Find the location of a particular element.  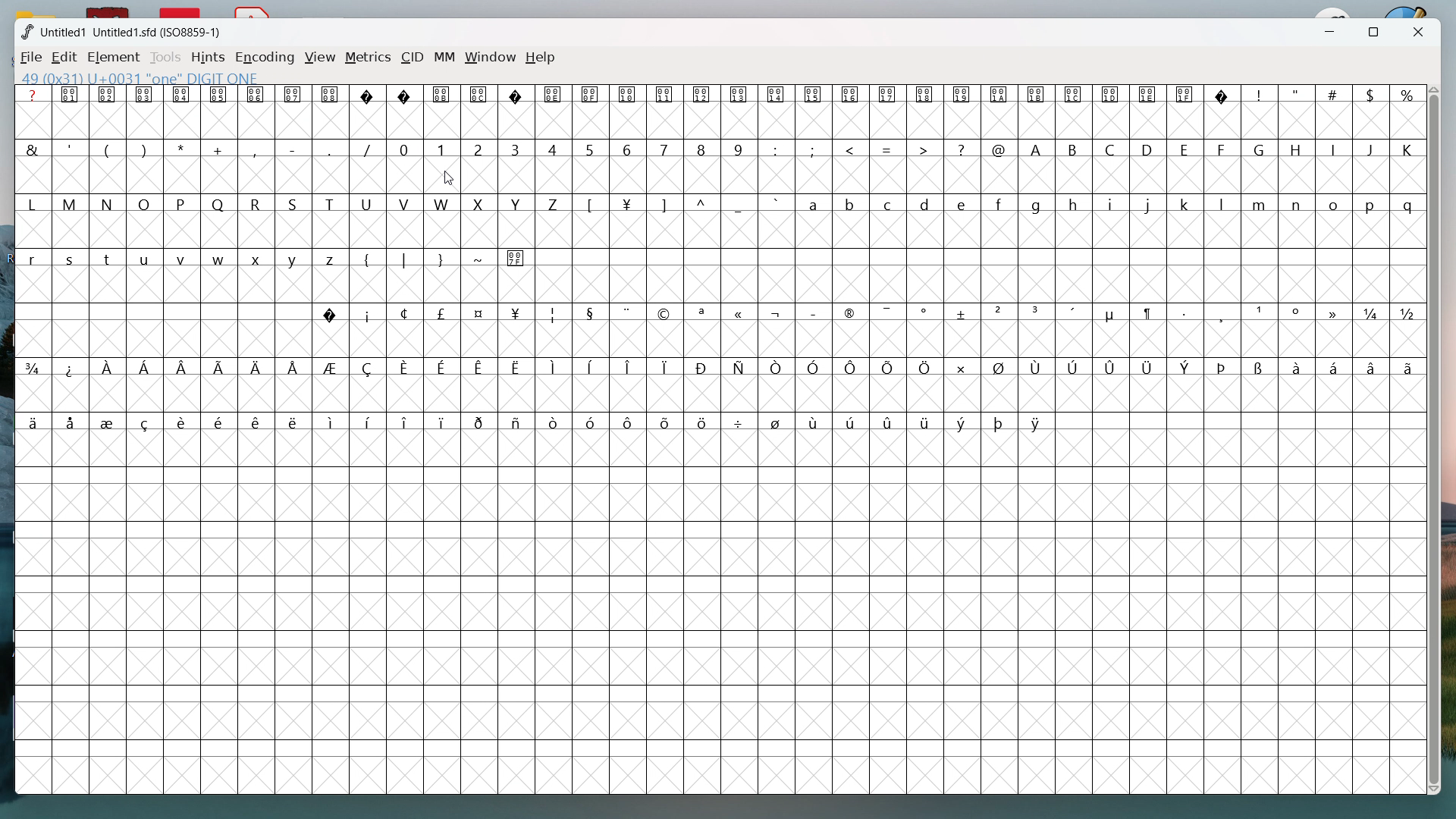

E is located at coordinates (1188, 149).